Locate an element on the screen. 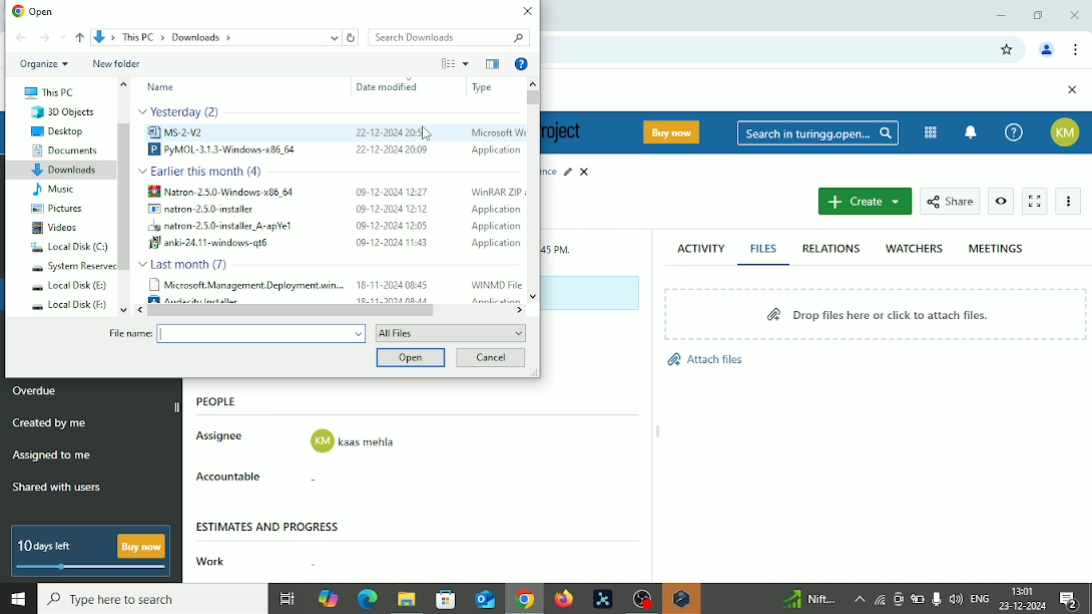 The width and height of the screenshot is (1092, 614). type is located at coordinates (493, 88).